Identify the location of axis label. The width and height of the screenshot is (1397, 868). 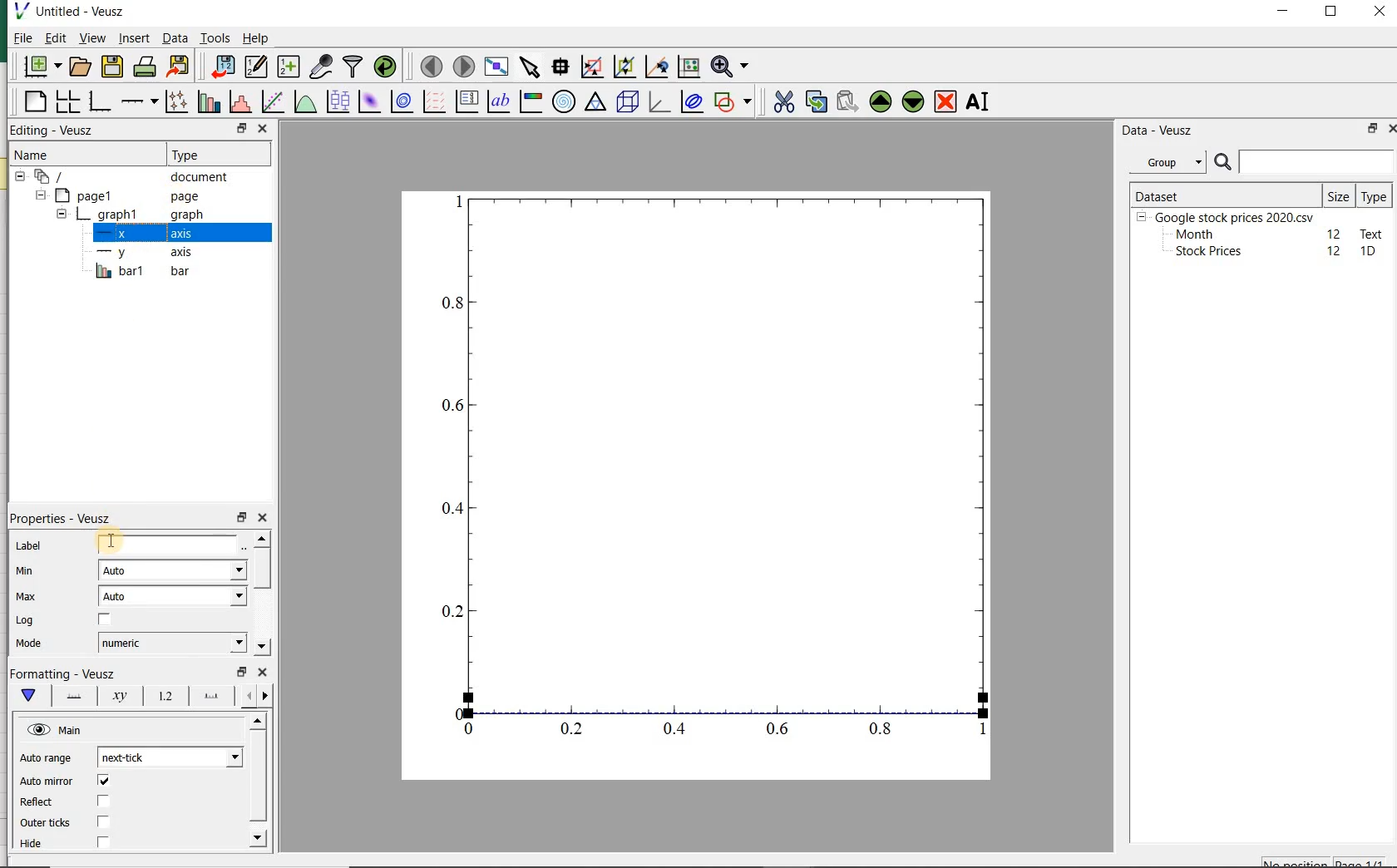
(117, 695).